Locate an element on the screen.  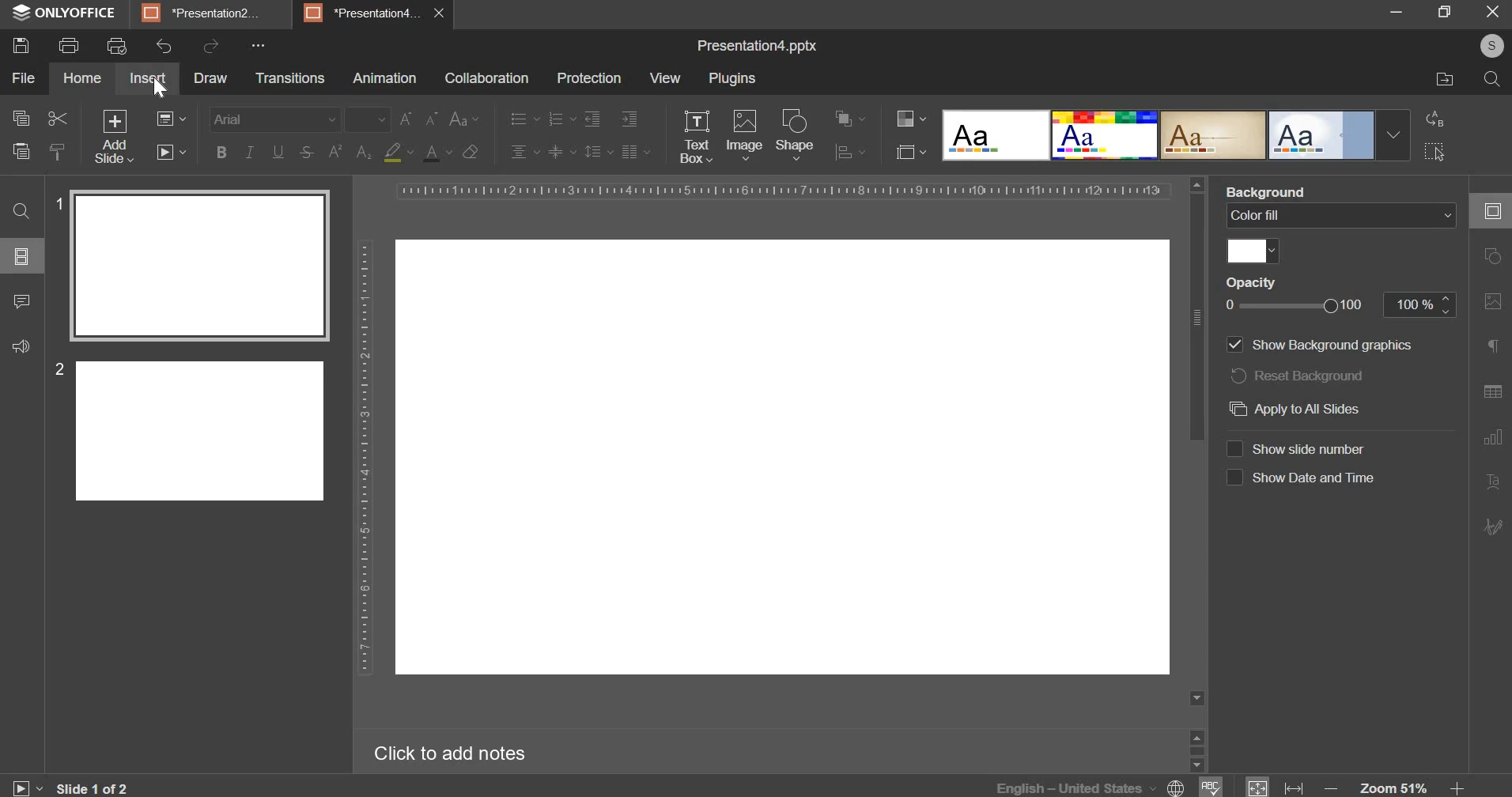
cut is located at coordinates (58, 119).